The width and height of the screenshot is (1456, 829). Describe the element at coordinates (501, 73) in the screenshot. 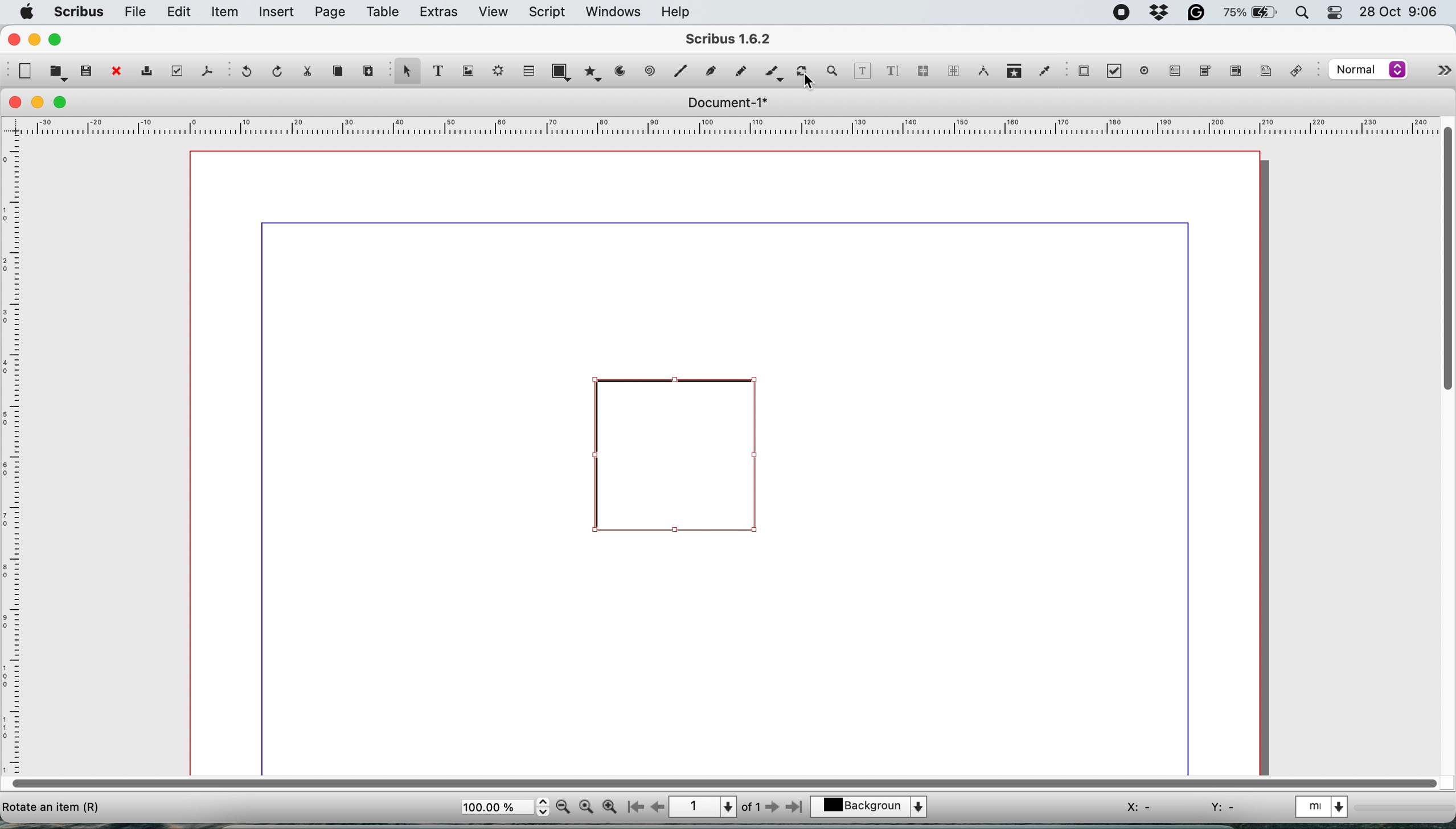

I see `render frame` at that location.